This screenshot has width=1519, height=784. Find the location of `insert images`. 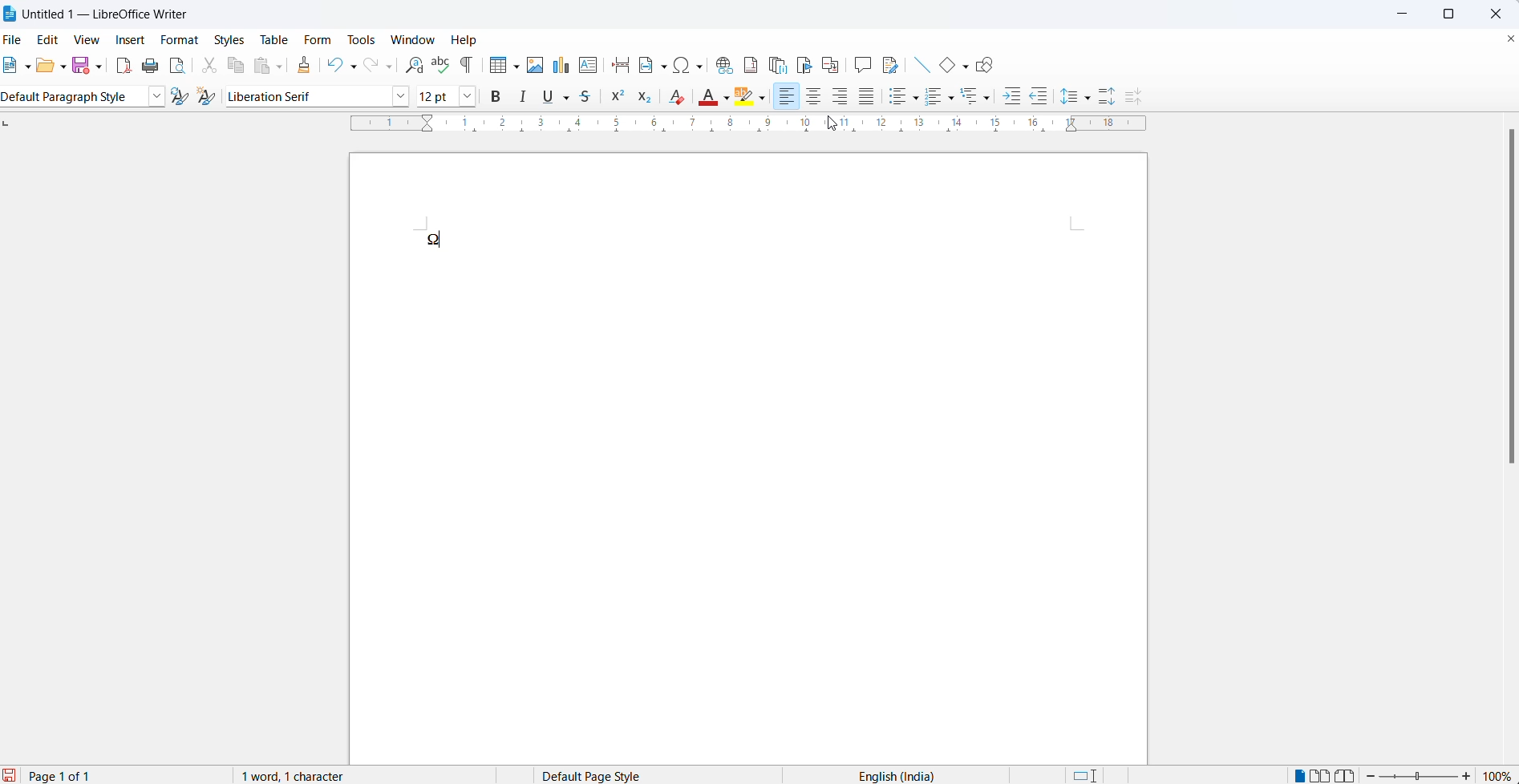

insert images is located at coordinates (534, 66).